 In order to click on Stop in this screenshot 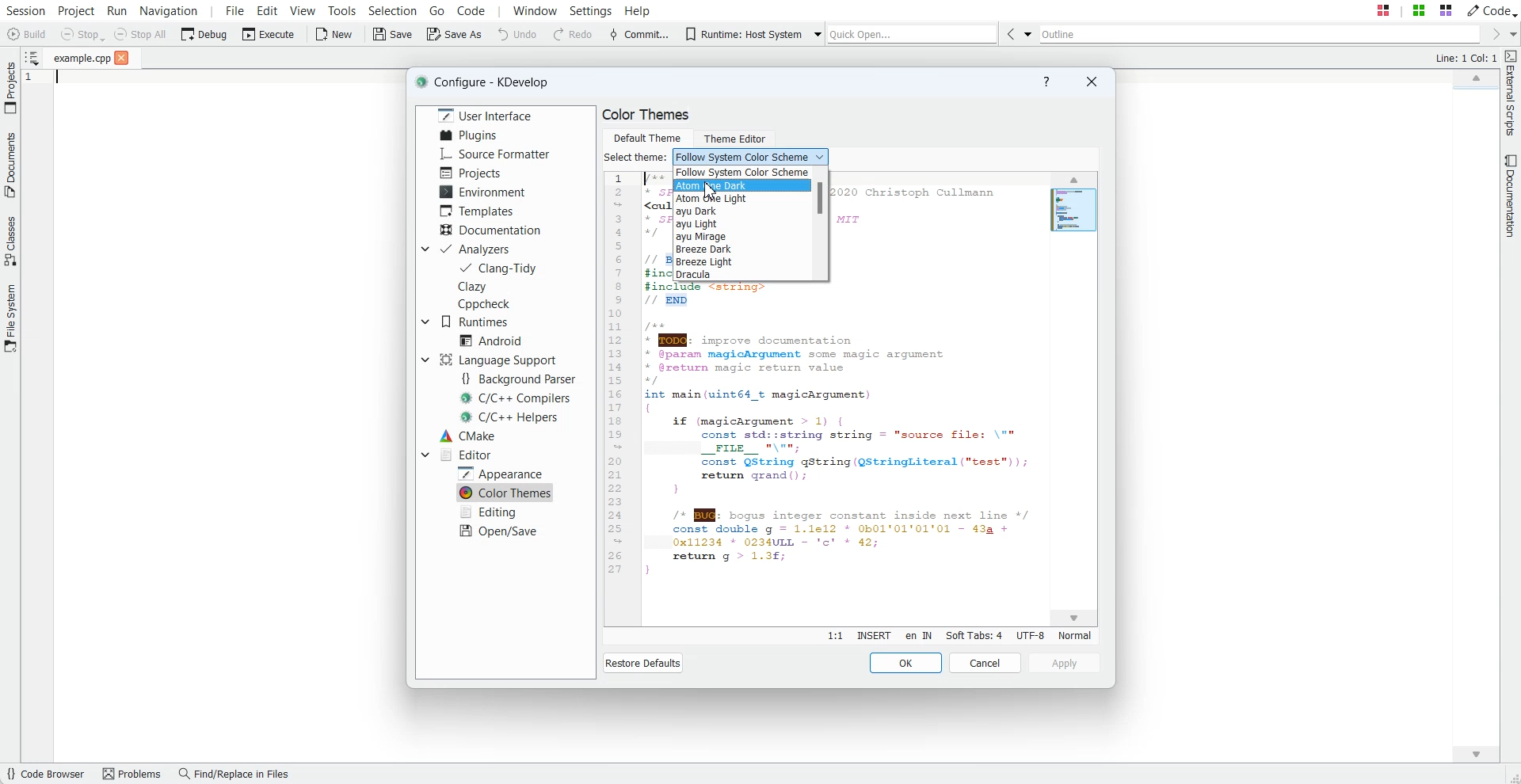, I will do `click(82, 35)`.